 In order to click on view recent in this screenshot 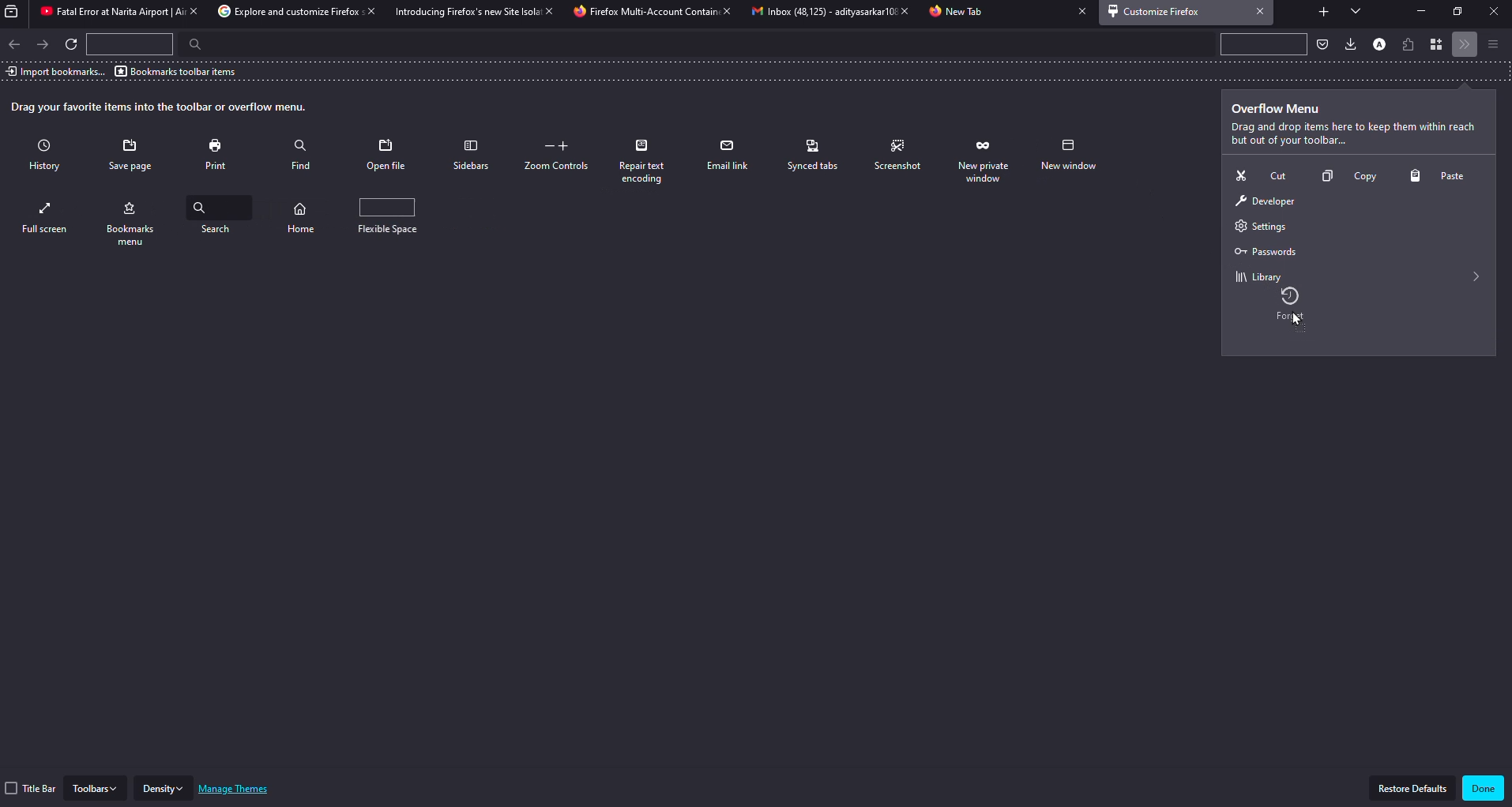, I will do `click(14, 12)`.